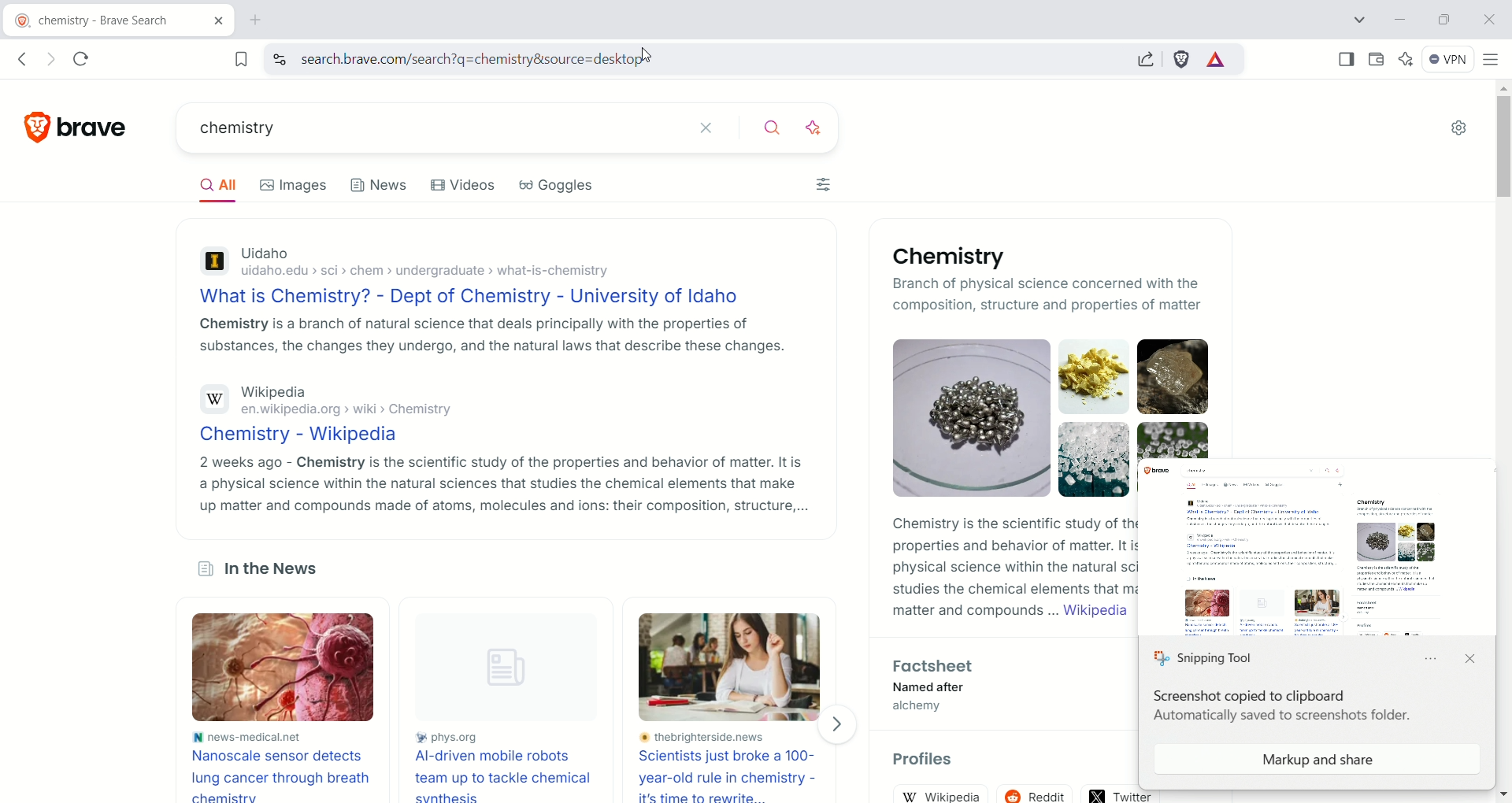  What do you see at coordinates (491, 339) in the screenshot?
I see `Chemistry Is a branch of natural science that deals principally with the properties of
substances, the changes they undergo, and the natural laws that describe these changes.` at bounding box center [491, 339].